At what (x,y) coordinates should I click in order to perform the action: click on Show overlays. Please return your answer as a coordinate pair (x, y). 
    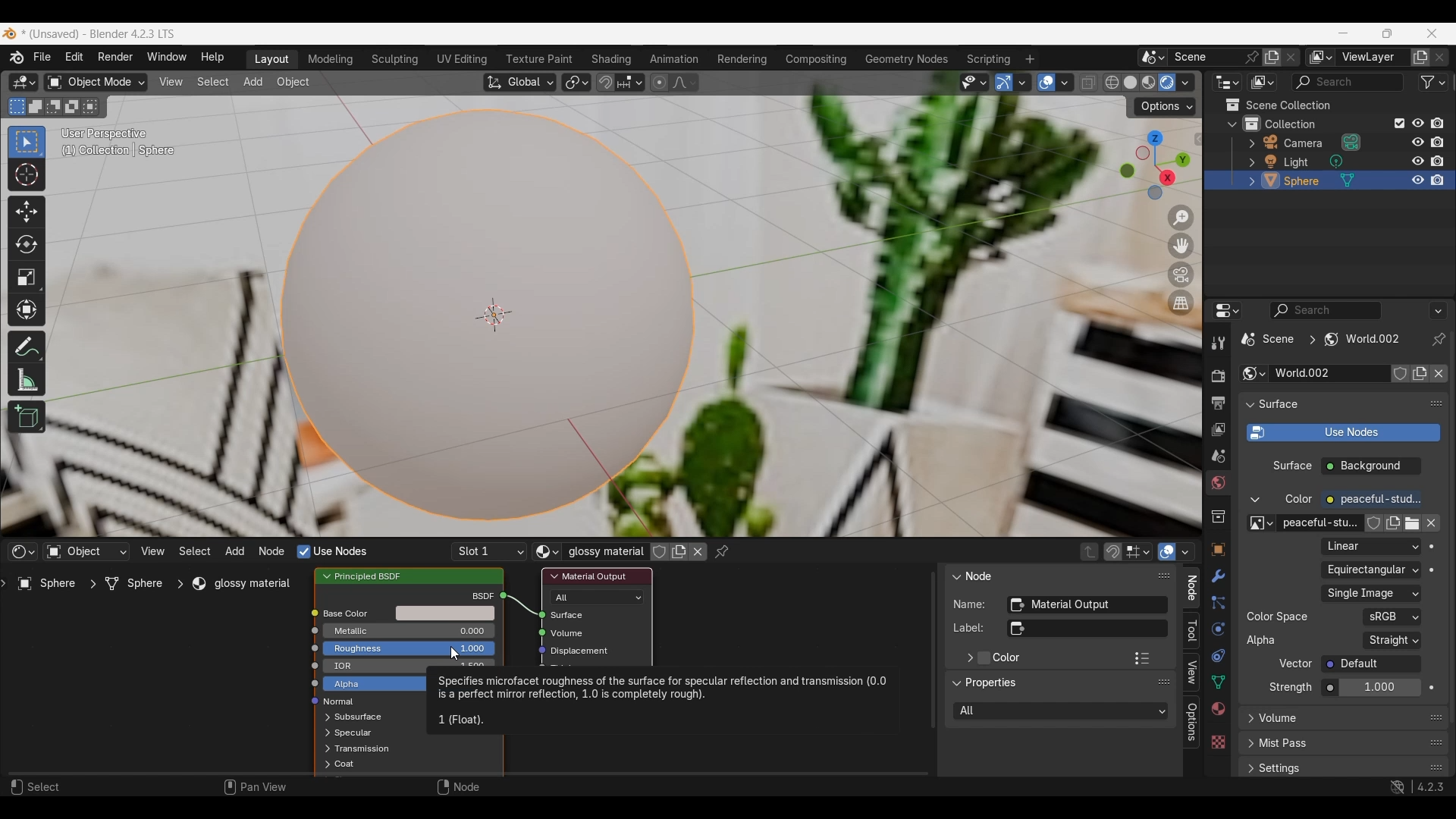
    Looking at the image, I should click on (1168, 551).